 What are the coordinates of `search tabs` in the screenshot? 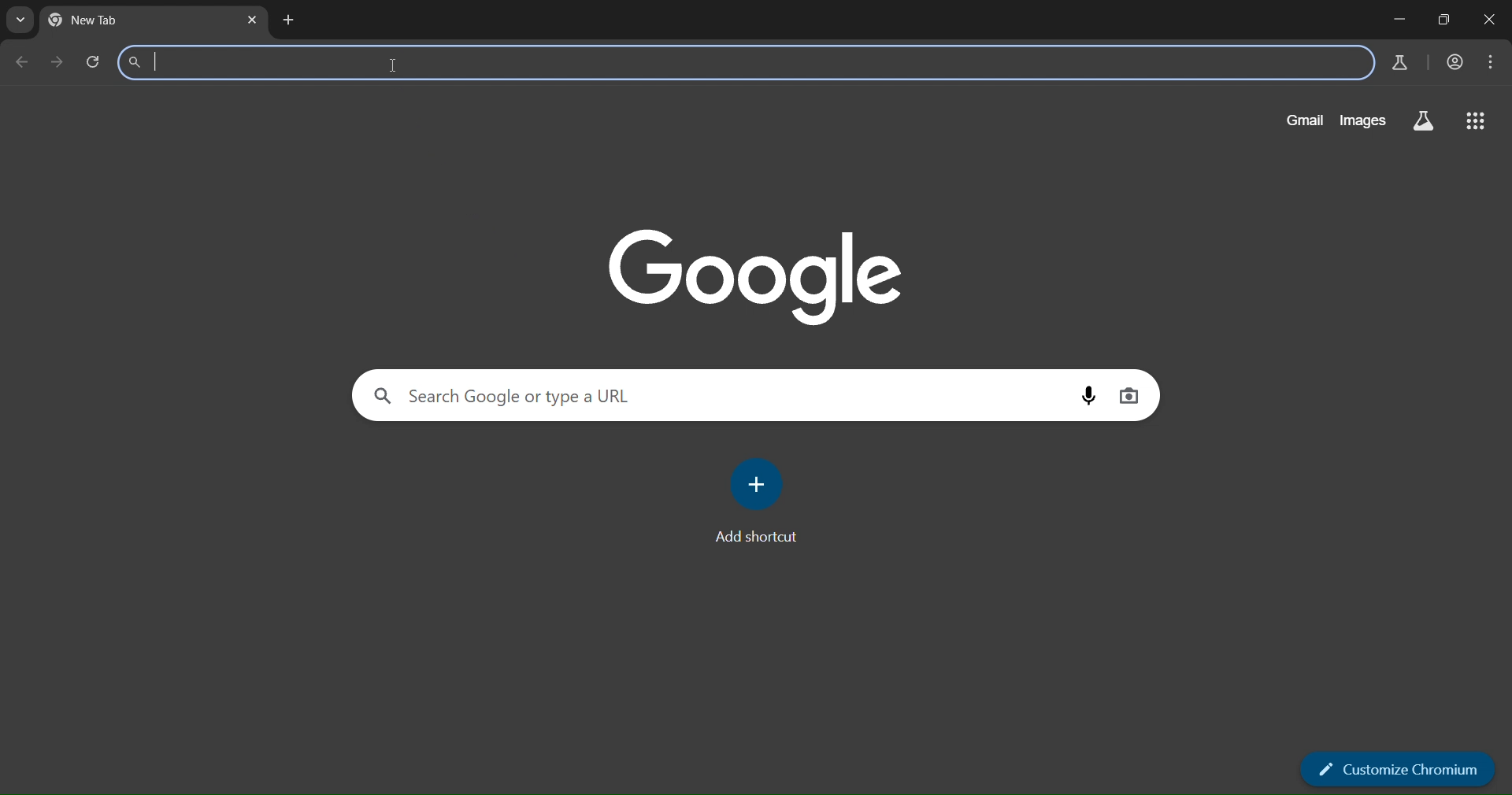 It's located at (20, 21).